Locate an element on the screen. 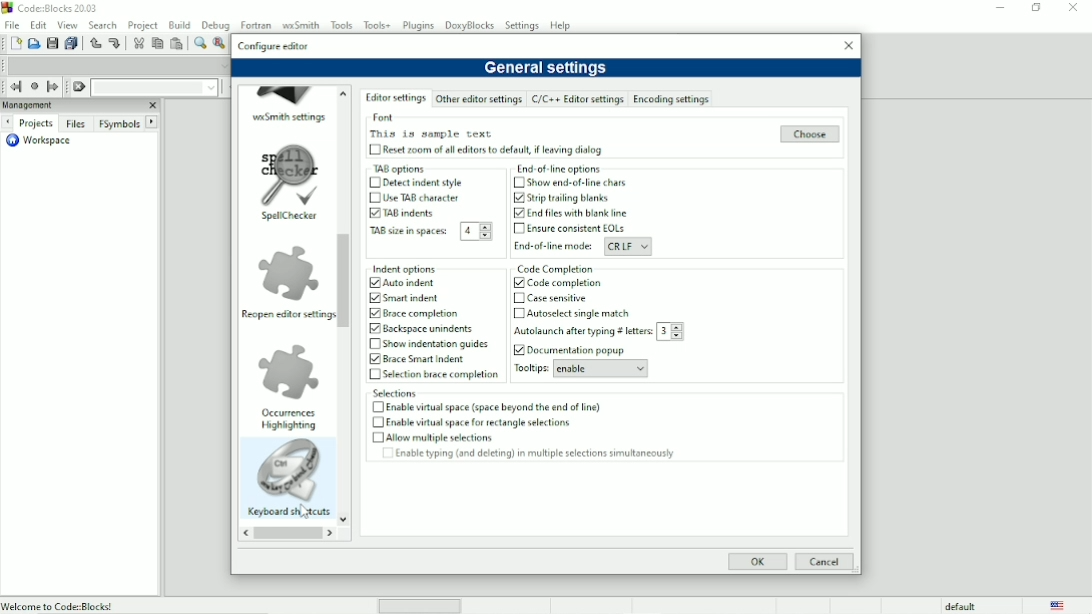 This screenshot has height=614, width=1092. Encoding settings is located at coordinates (670, 98).